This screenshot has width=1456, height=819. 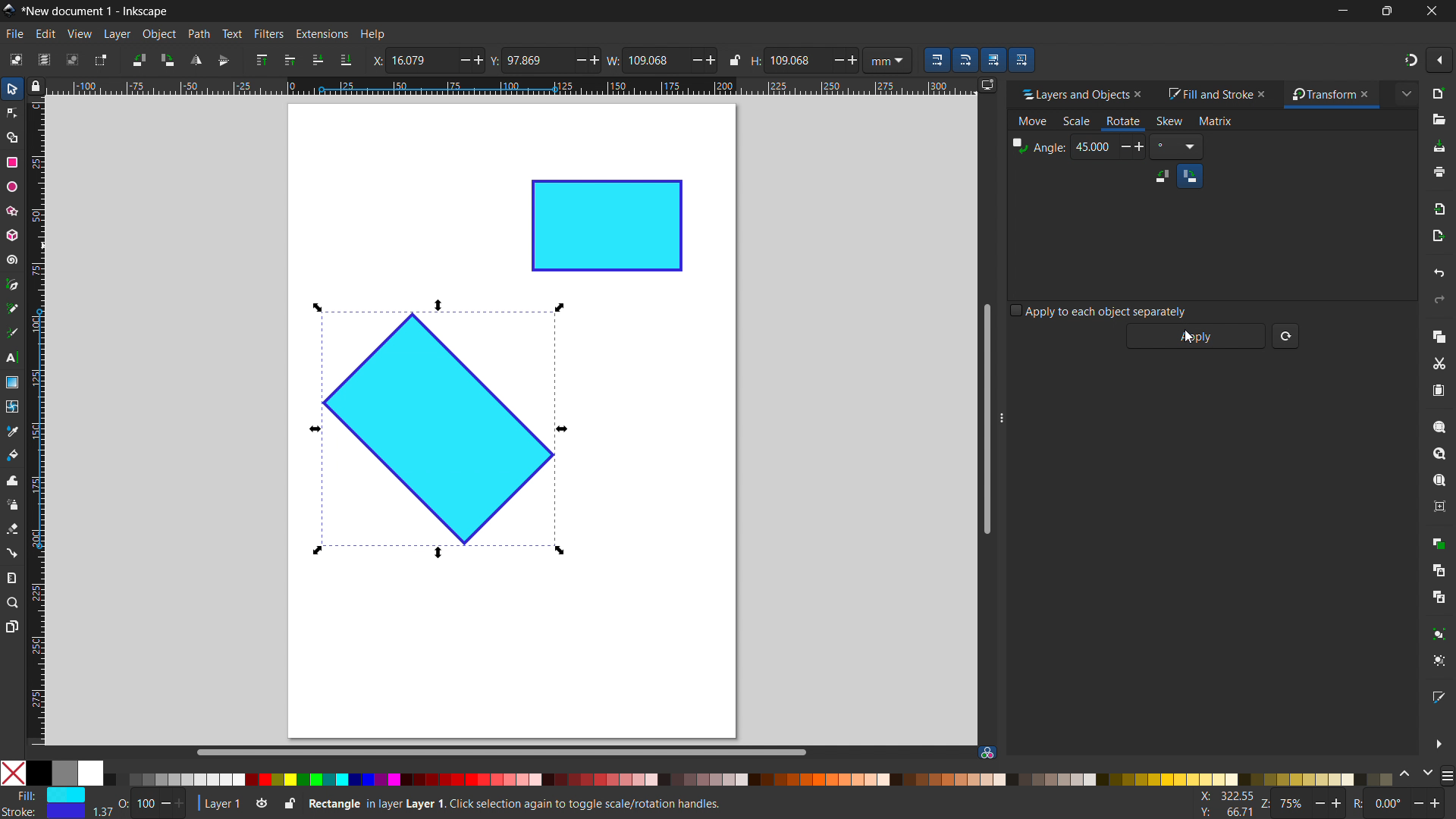 I want to click on print, so click(x=1440, y=172).